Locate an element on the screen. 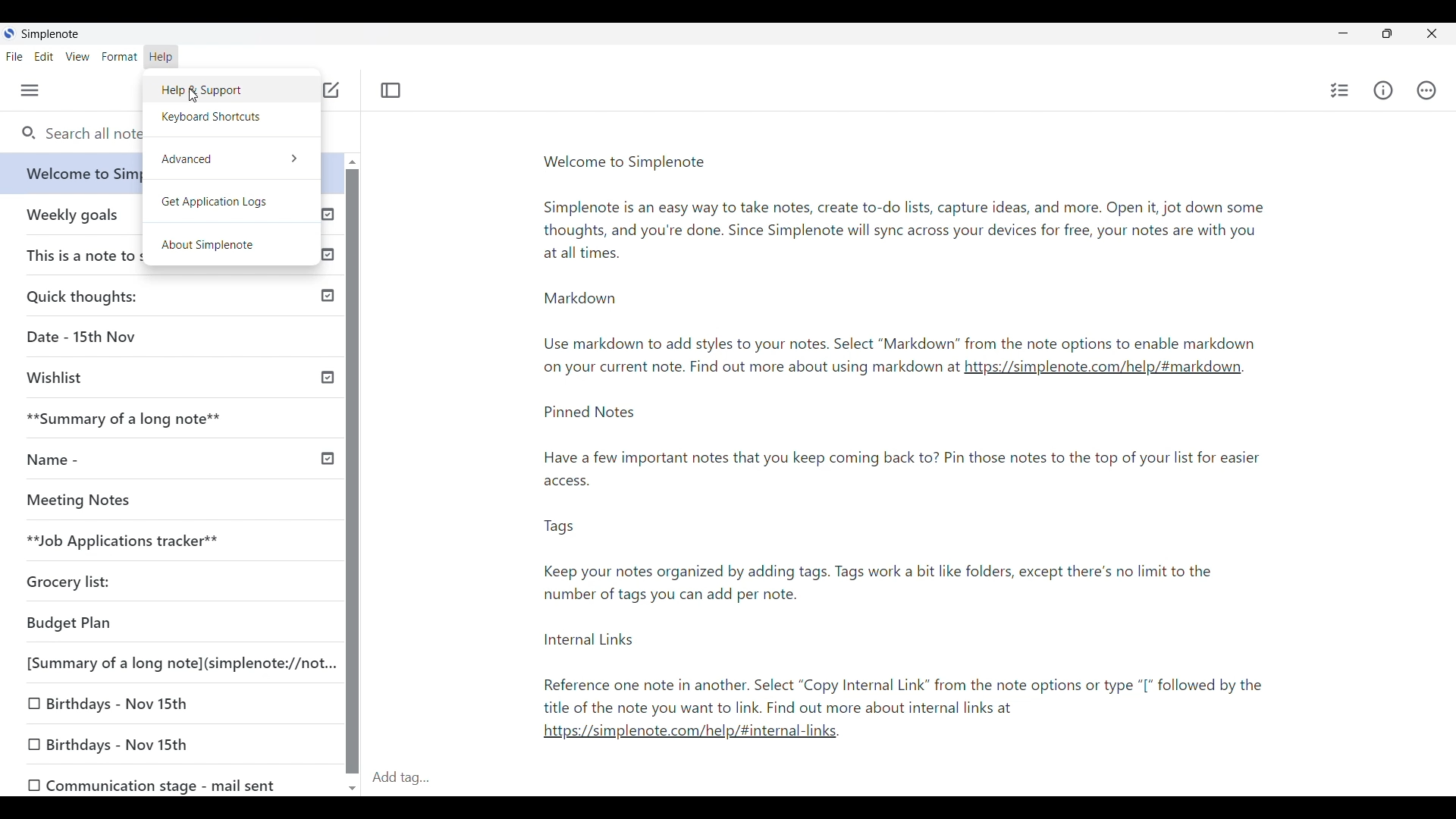  Click to type in tags is located at coordinates (908, 779).